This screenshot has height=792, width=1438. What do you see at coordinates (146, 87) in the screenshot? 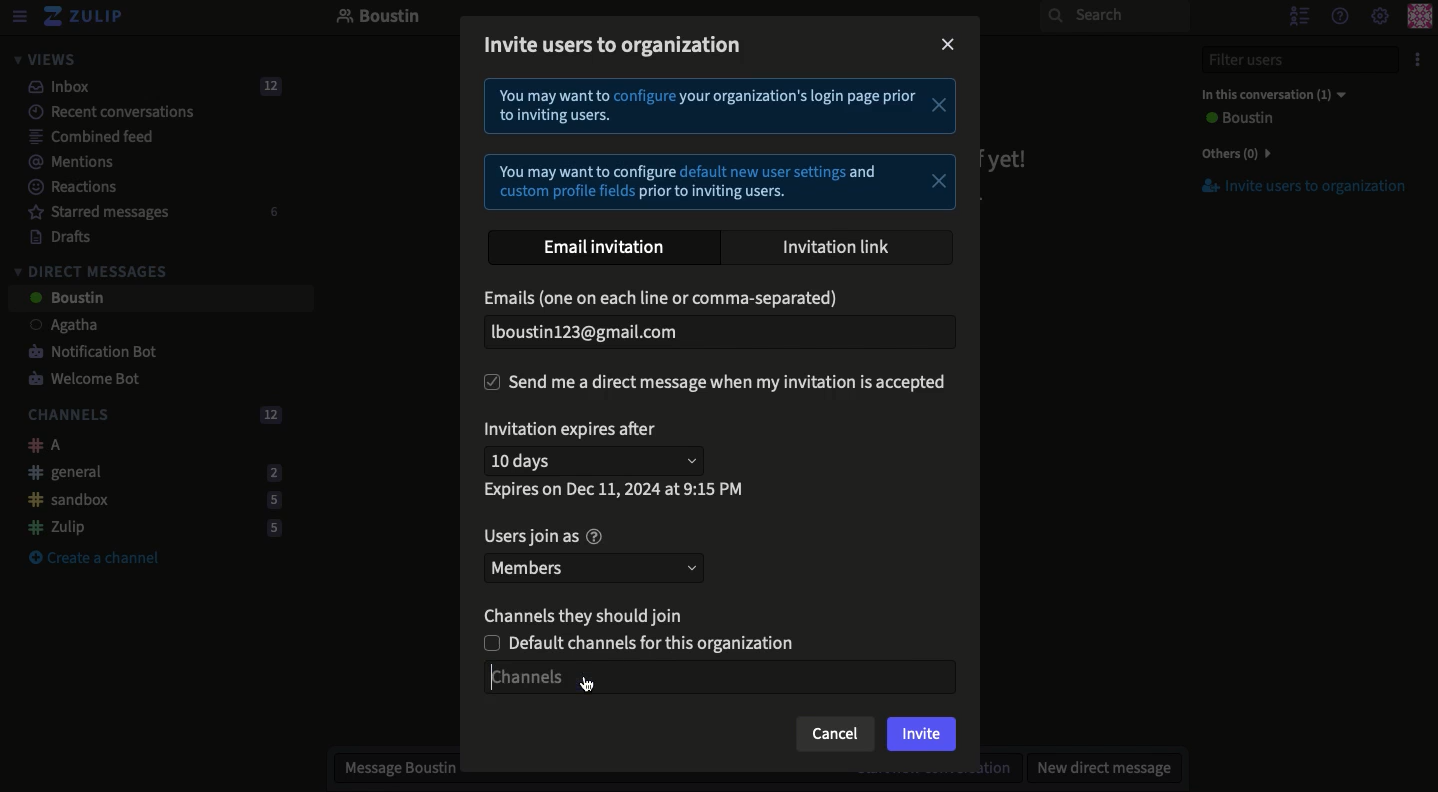
I see `Inbox` at bounding box center [146, 87].